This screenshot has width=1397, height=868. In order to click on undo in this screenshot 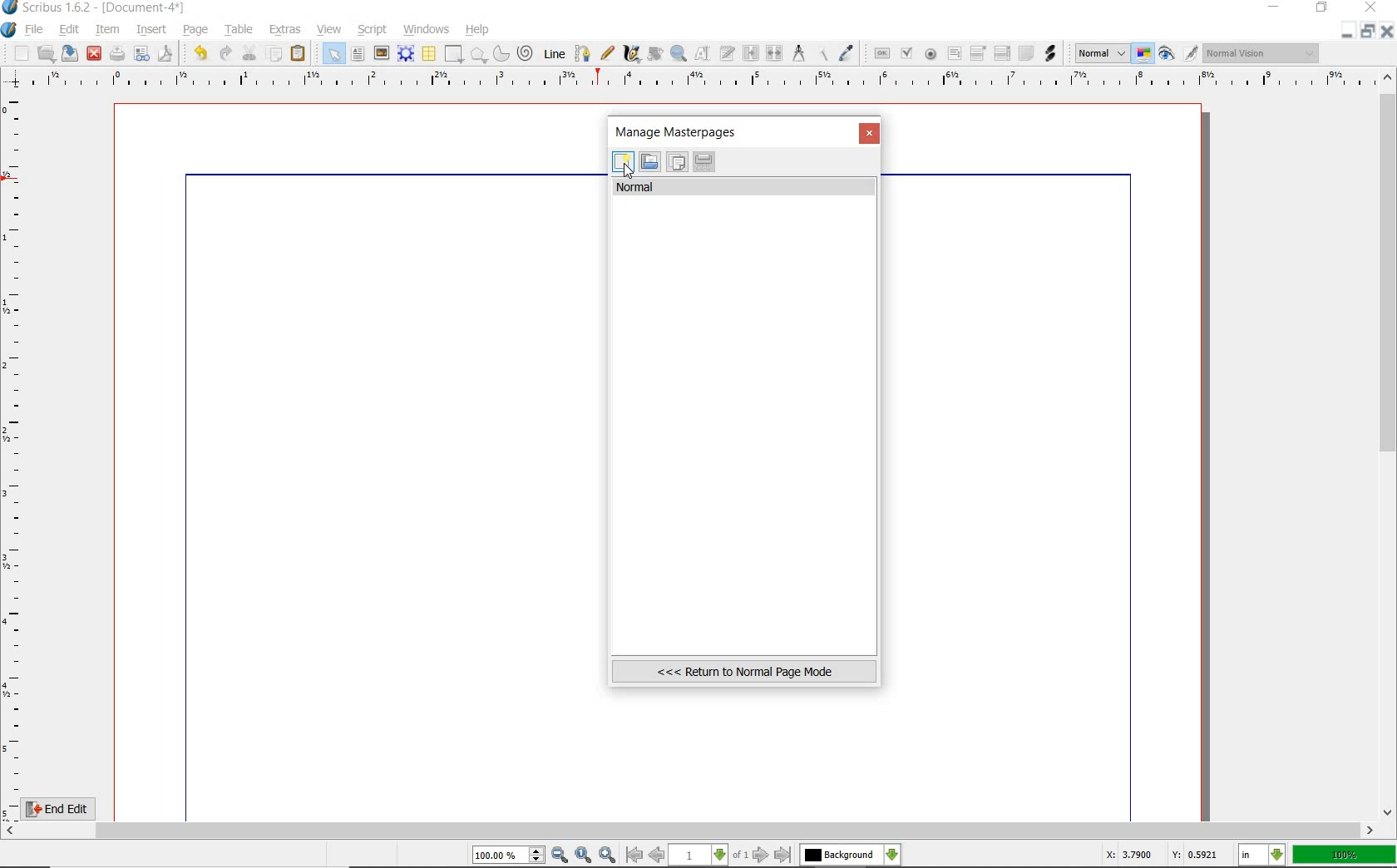, I will do `click(197, 52)`.